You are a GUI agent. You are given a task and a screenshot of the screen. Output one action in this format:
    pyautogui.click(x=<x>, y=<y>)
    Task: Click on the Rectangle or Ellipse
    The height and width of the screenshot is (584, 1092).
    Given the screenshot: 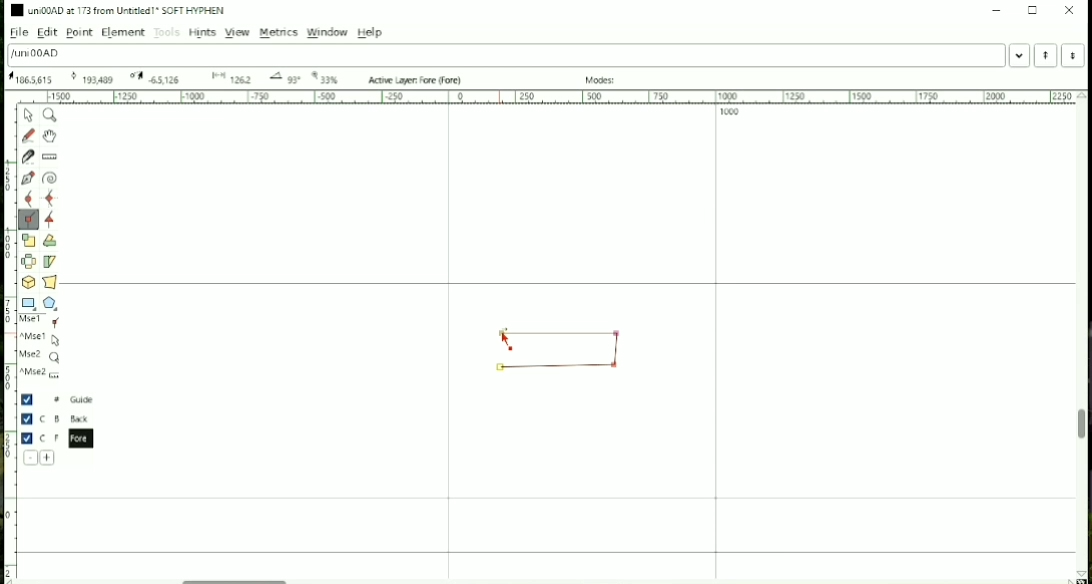 What is the action you would take?
    pyautogui.click(x=29, y=304)
    